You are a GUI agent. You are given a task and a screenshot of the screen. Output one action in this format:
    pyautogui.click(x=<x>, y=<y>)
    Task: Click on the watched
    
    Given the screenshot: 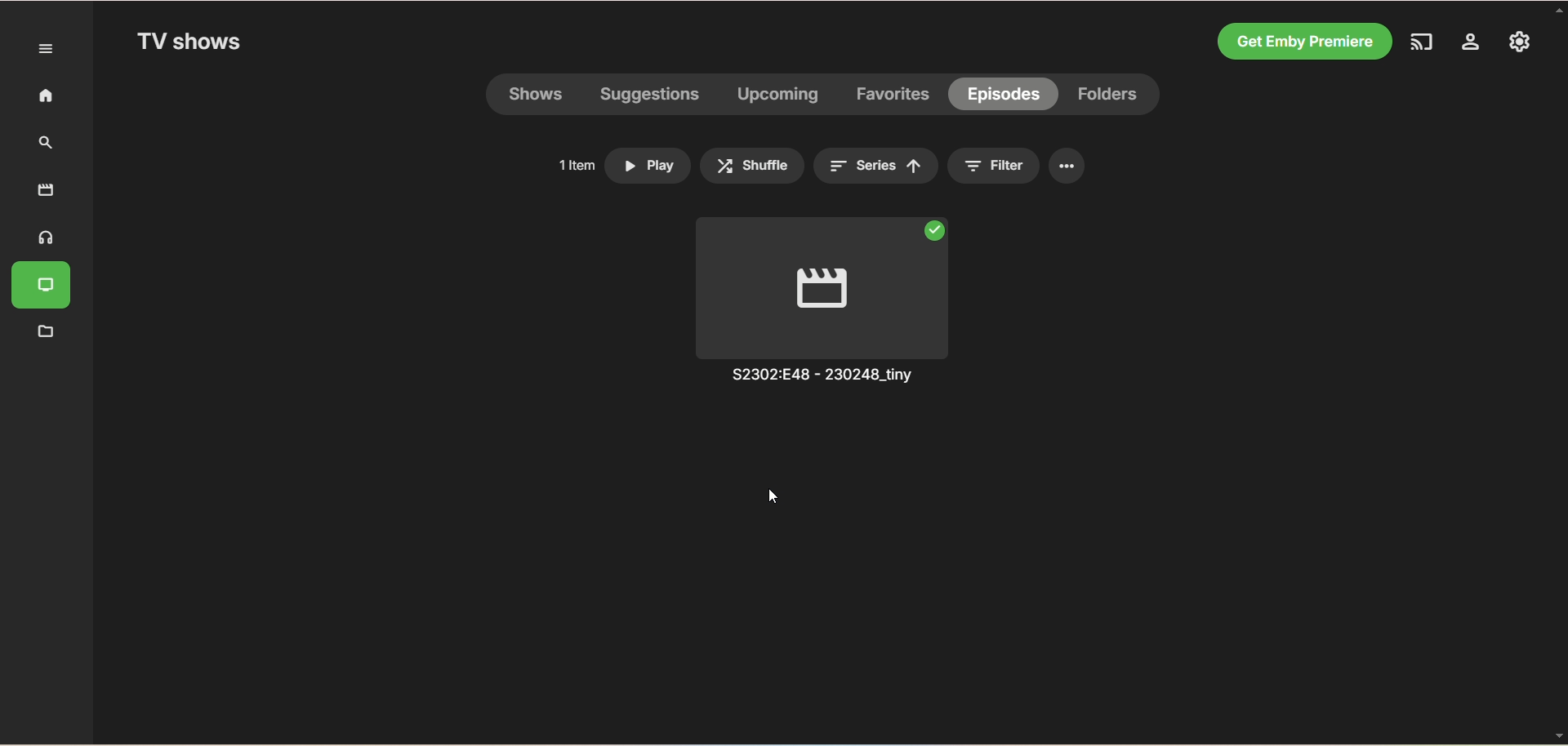 What is the action you would take?
    pyautogui.click(x=937, y=228)
    